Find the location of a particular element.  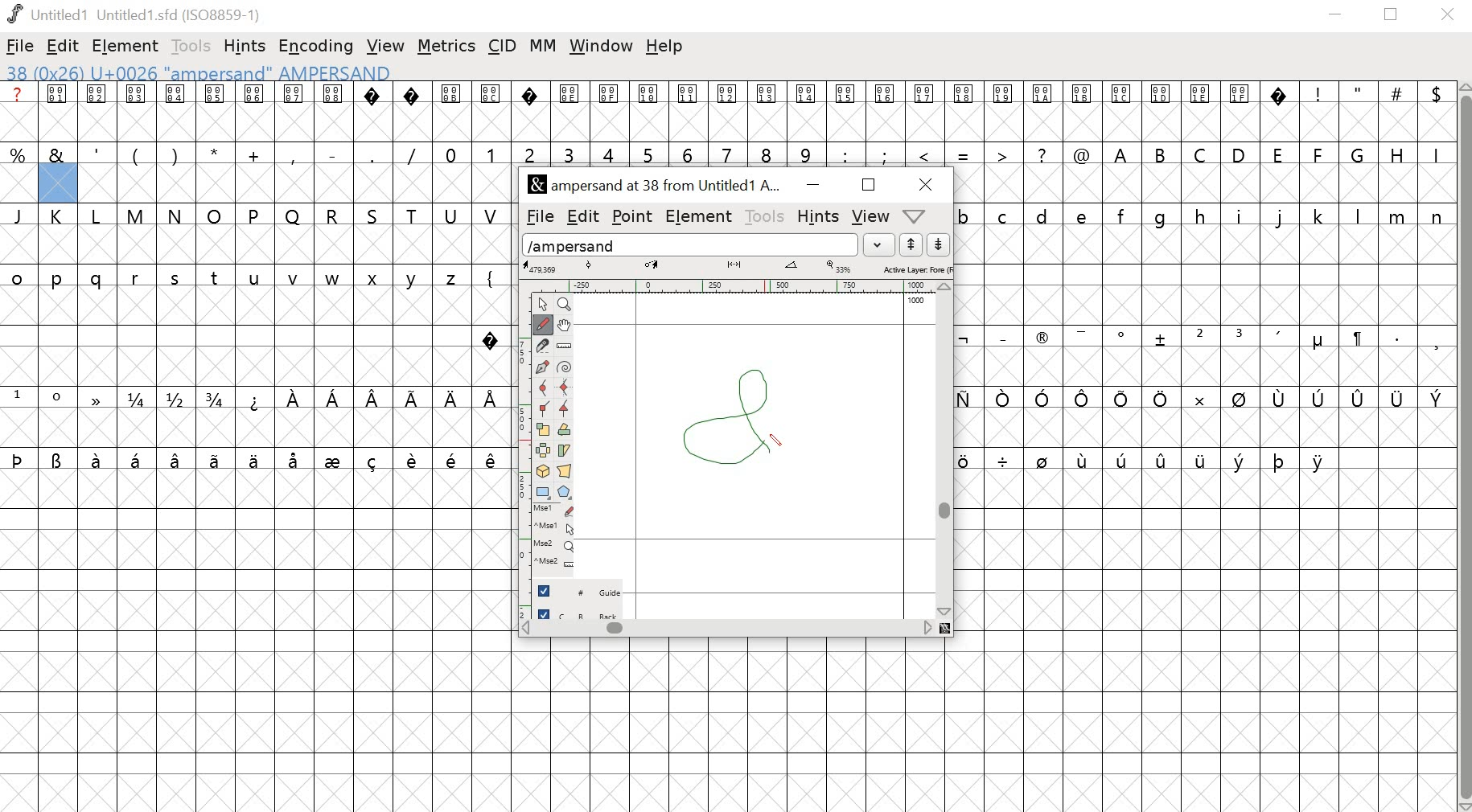

0006 is located at coordinates (255, 112).